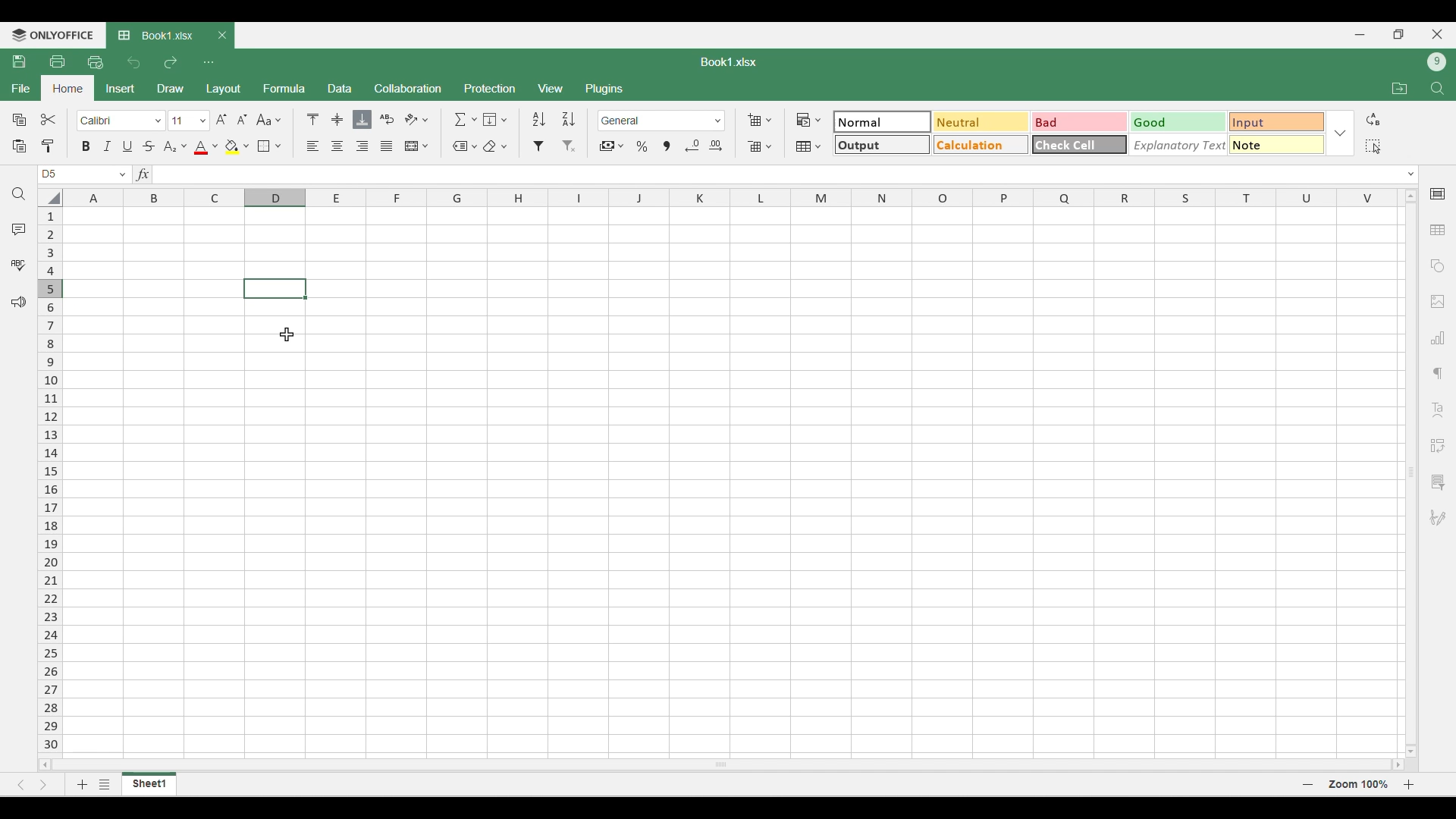 This screenshot has width=1456, height=819. What do you see at coordinates (268, 119) in the screenshot?
I see `Change case` at bounding box center [268, 119].